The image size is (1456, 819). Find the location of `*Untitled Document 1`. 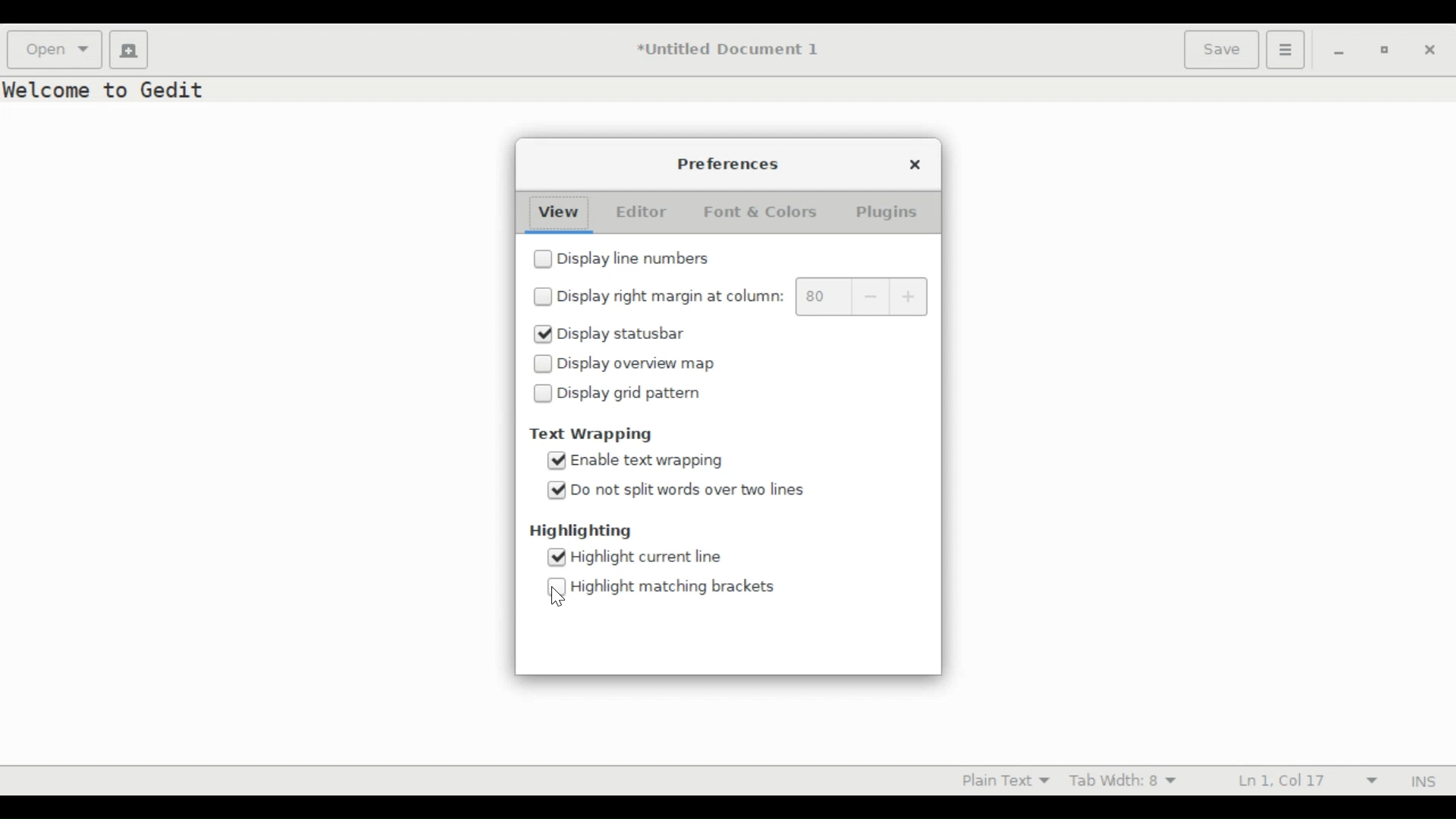

*Untitled Document 1 is located at coordinates (730, 50).